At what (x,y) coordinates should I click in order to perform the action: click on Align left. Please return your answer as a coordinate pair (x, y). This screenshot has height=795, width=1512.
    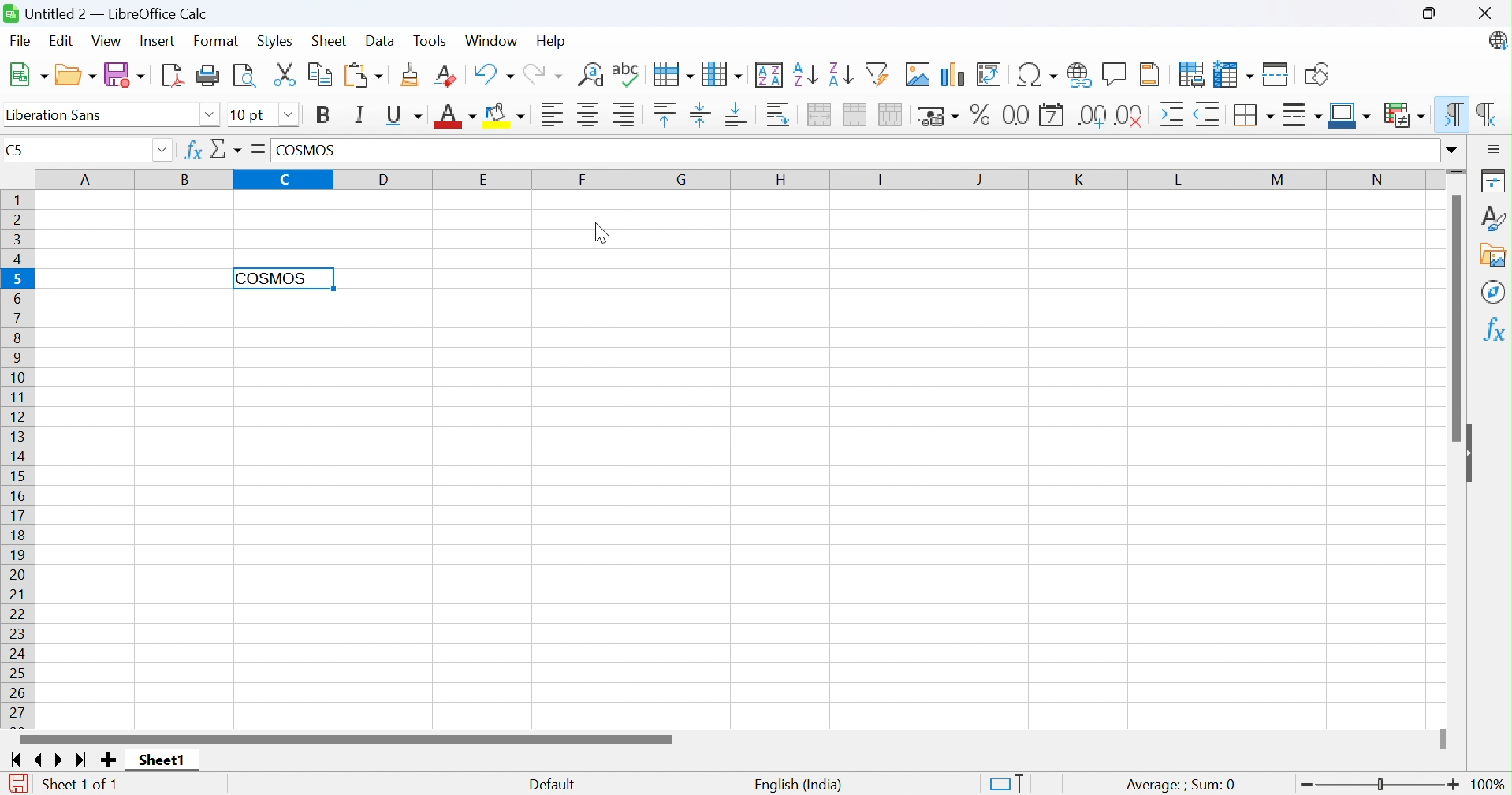
    Looking at the image, I should click on (553, 114).